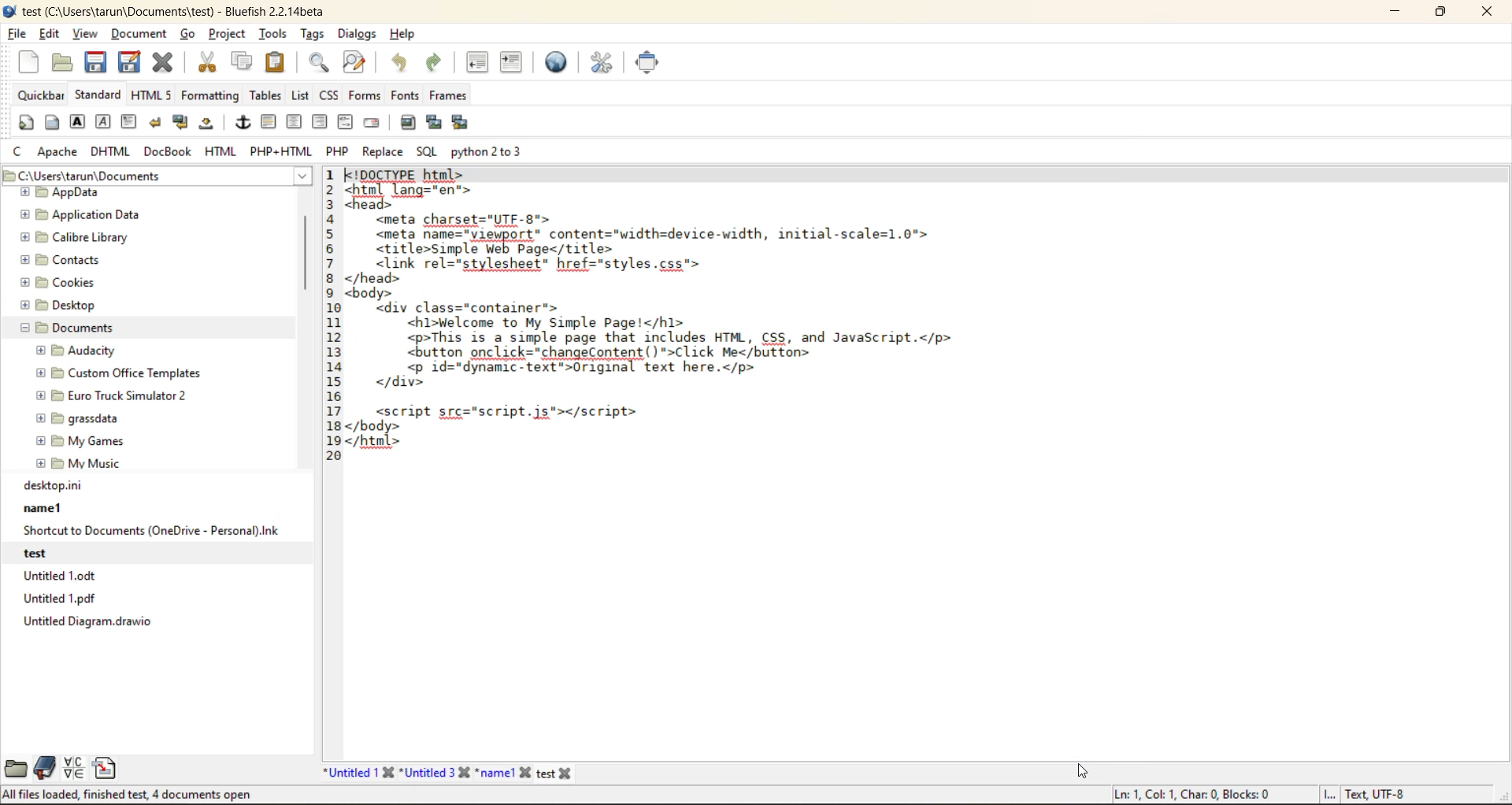 This screenshot has height=805, width=1512. Describe the element at coordinates (458, 123) in the screenshot. I see `multi thumbnail` at that location.